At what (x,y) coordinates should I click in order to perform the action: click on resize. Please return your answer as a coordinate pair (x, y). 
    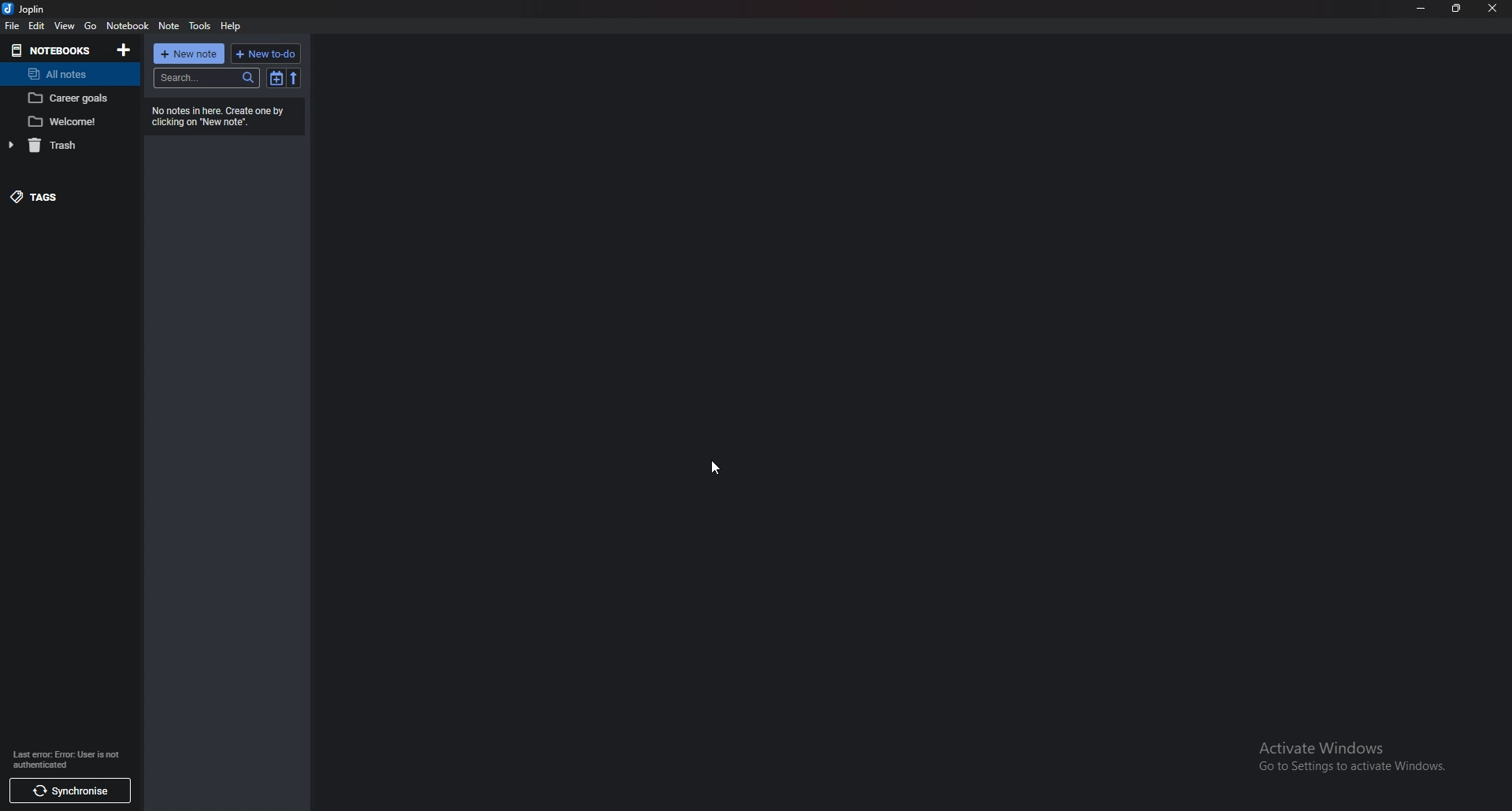
    Looking at the image, I should click on (1457, 9).